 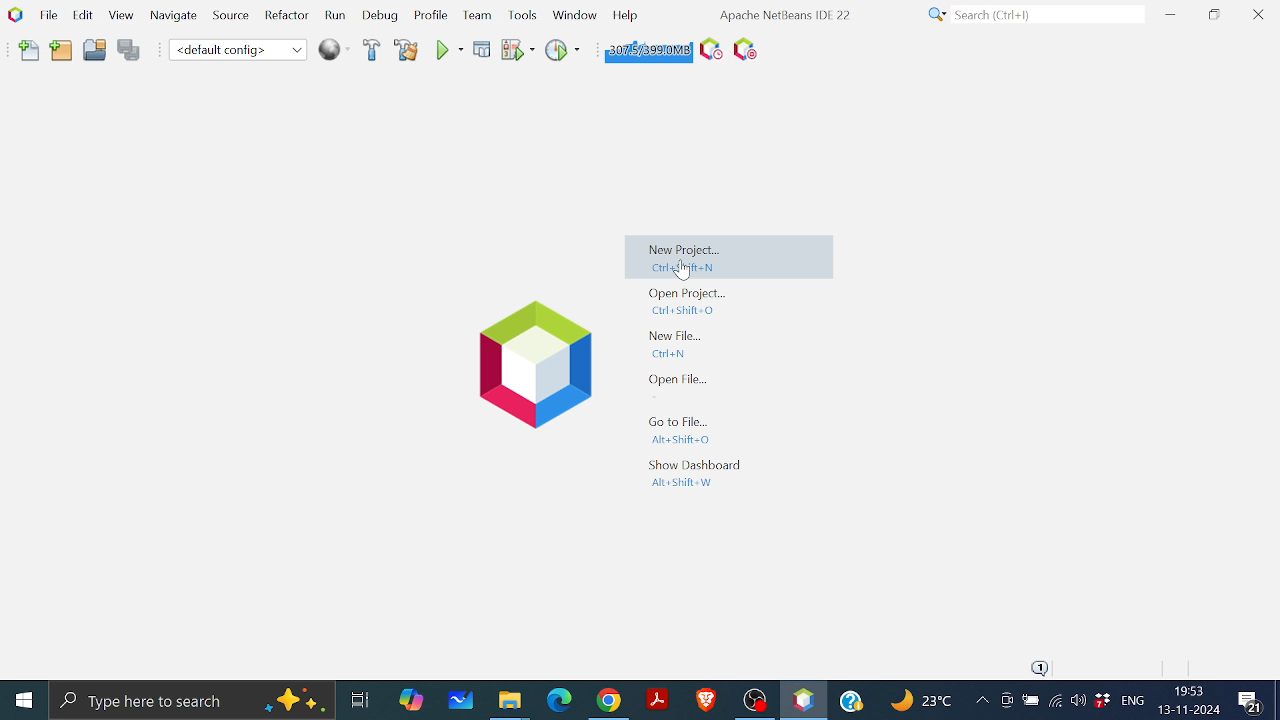 What do you see at coordinates (129, 51) in the screenshot?
I see `Save all` at bounding box center [129, 51].